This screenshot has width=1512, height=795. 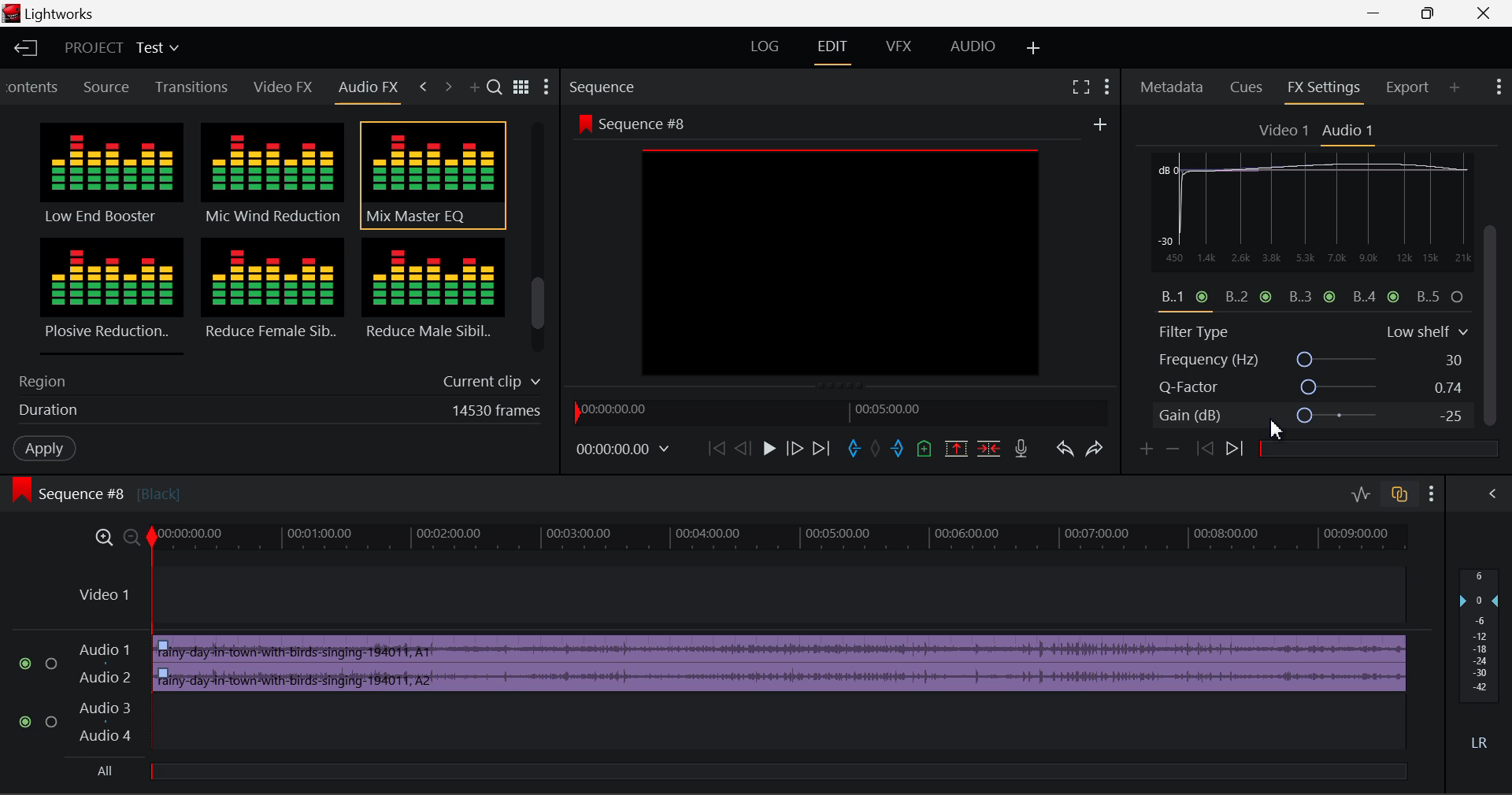 I want to click on Minimize, so click(x=1435, y=13).